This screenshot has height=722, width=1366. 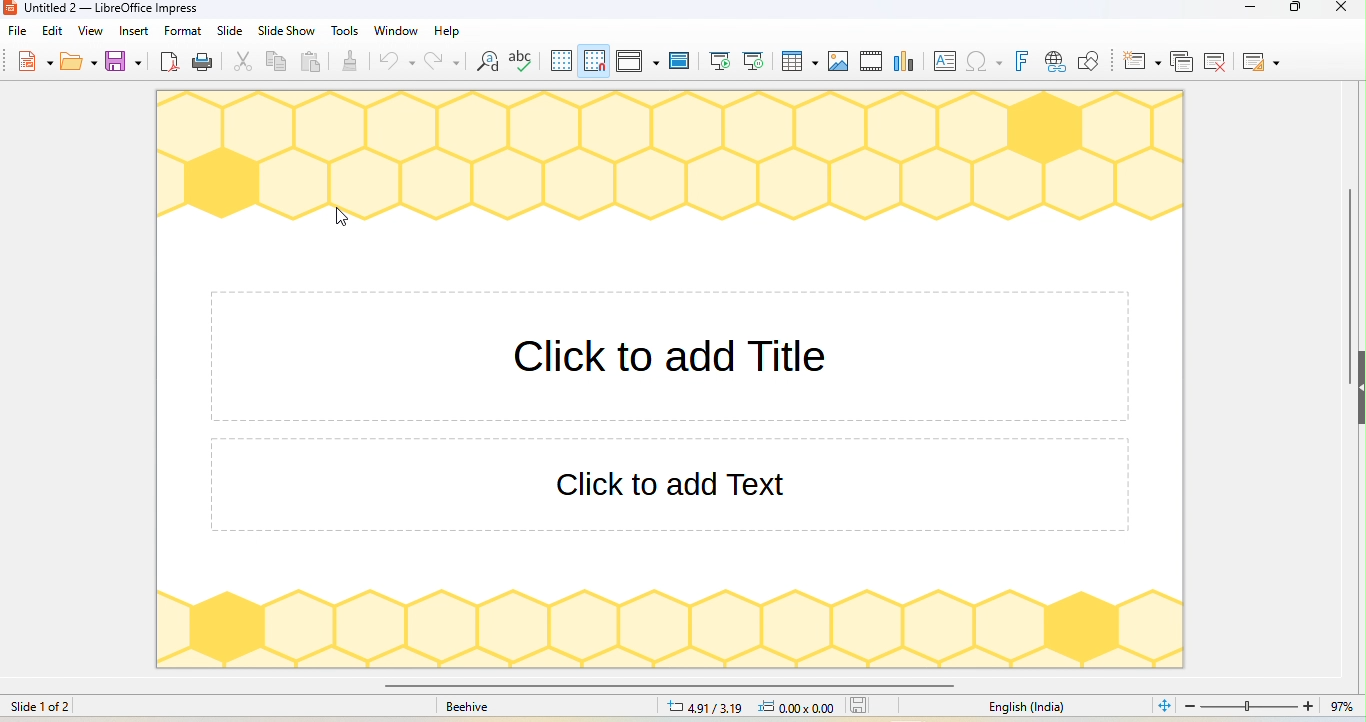 What do you see at coordinates (1094, 61) in the screenshot?
I see `show draw functions` at bounding box center [1094, 61].